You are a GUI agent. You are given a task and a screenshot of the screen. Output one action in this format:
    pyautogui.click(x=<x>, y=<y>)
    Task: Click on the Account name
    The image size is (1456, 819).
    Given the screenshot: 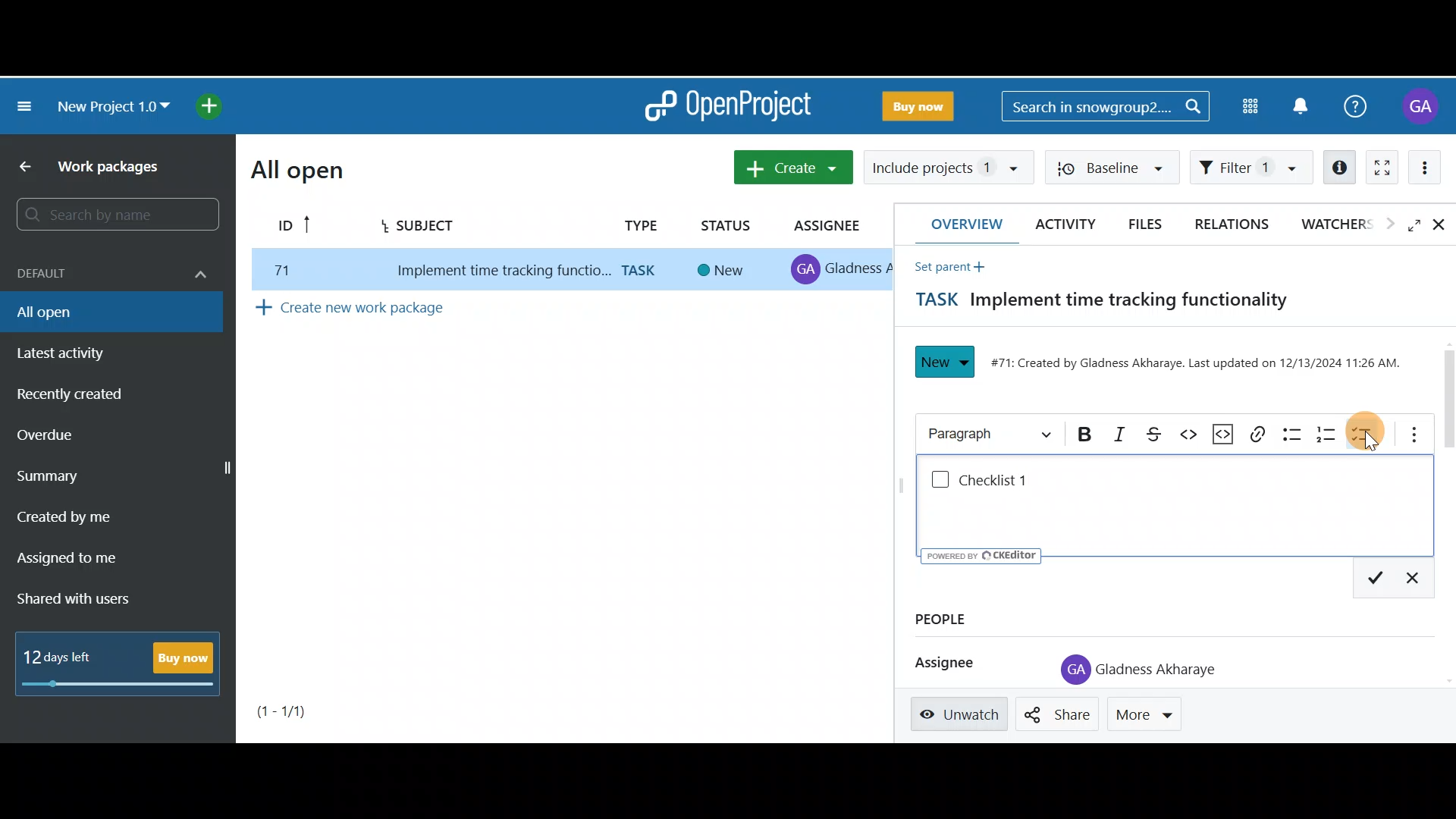 What is the action you would take?
    pyautogui.click(x=1420, y=108)
    